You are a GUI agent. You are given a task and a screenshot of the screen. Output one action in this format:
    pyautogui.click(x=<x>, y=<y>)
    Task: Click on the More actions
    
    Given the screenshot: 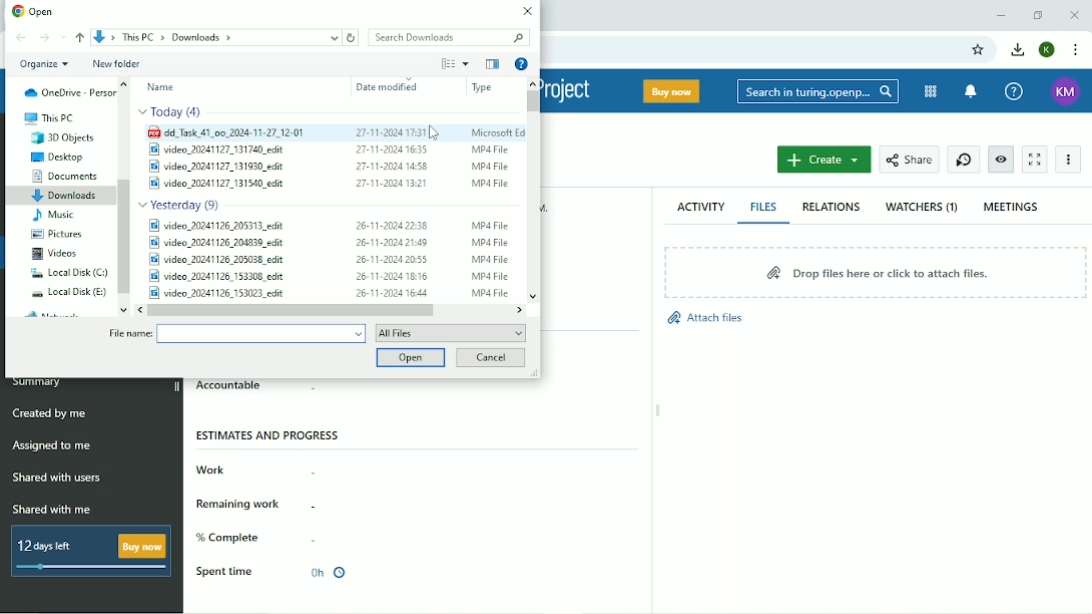 What is the action you would take?
    pyautogui.click(x=1068, y=160)
    